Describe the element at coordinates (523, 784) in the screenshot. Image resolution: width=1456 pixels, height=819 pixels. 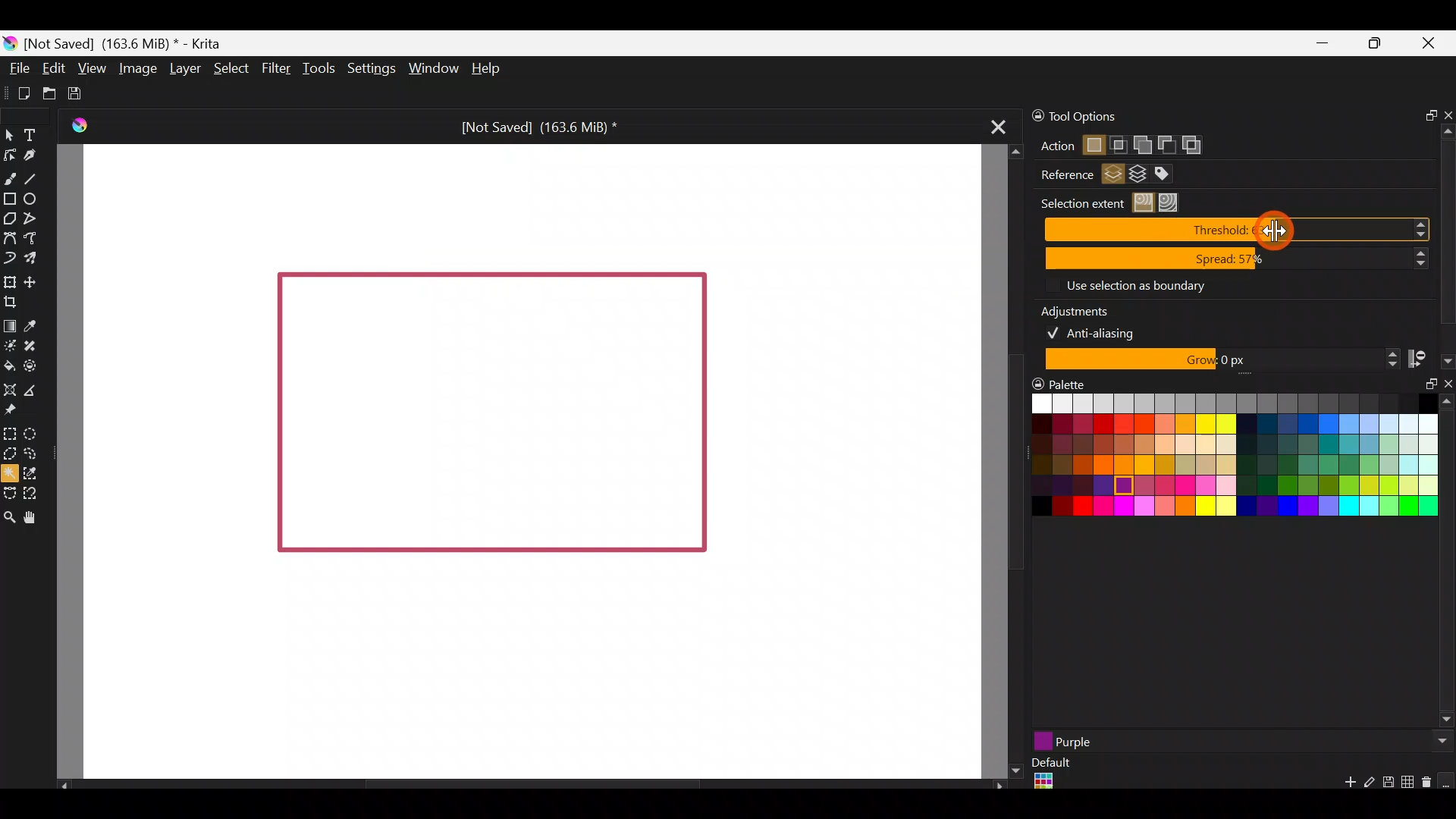
I see `Scroll bar` at that location.